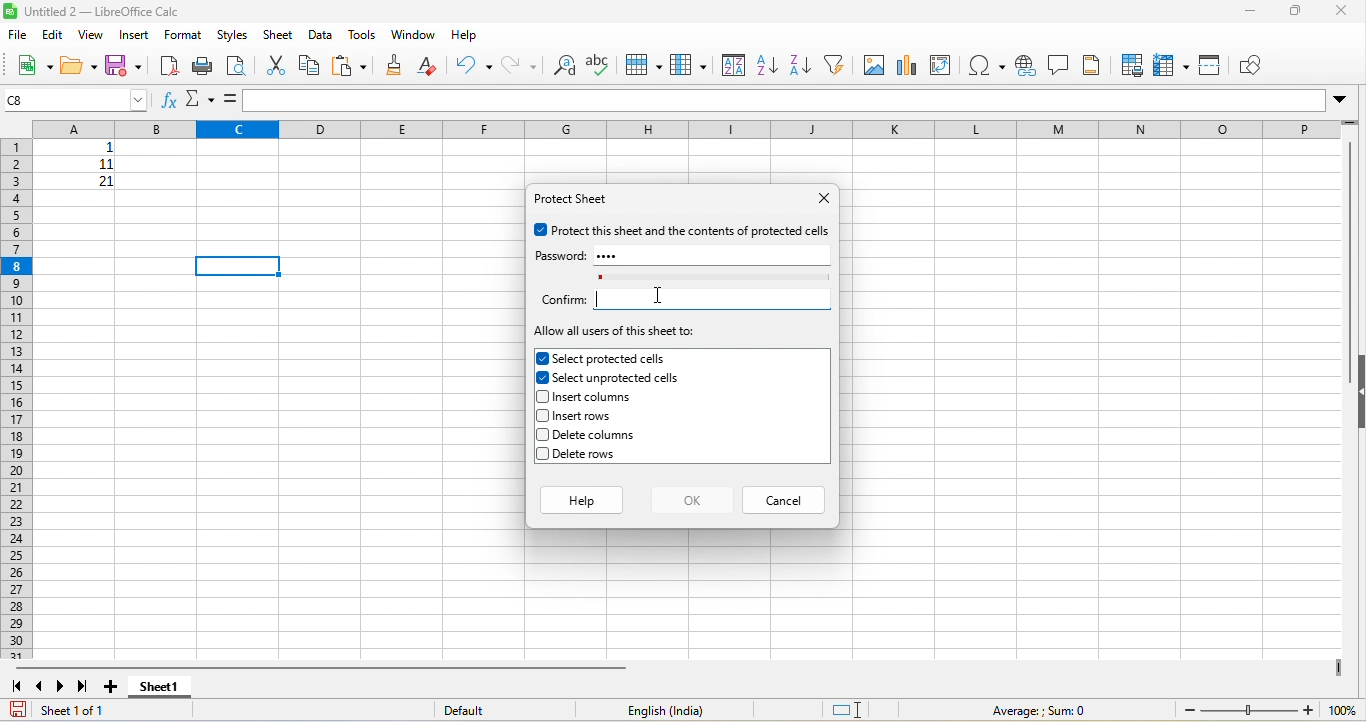 The height and width of the screenshot is (722, 1366). I want to click on save, so click(124, 66).